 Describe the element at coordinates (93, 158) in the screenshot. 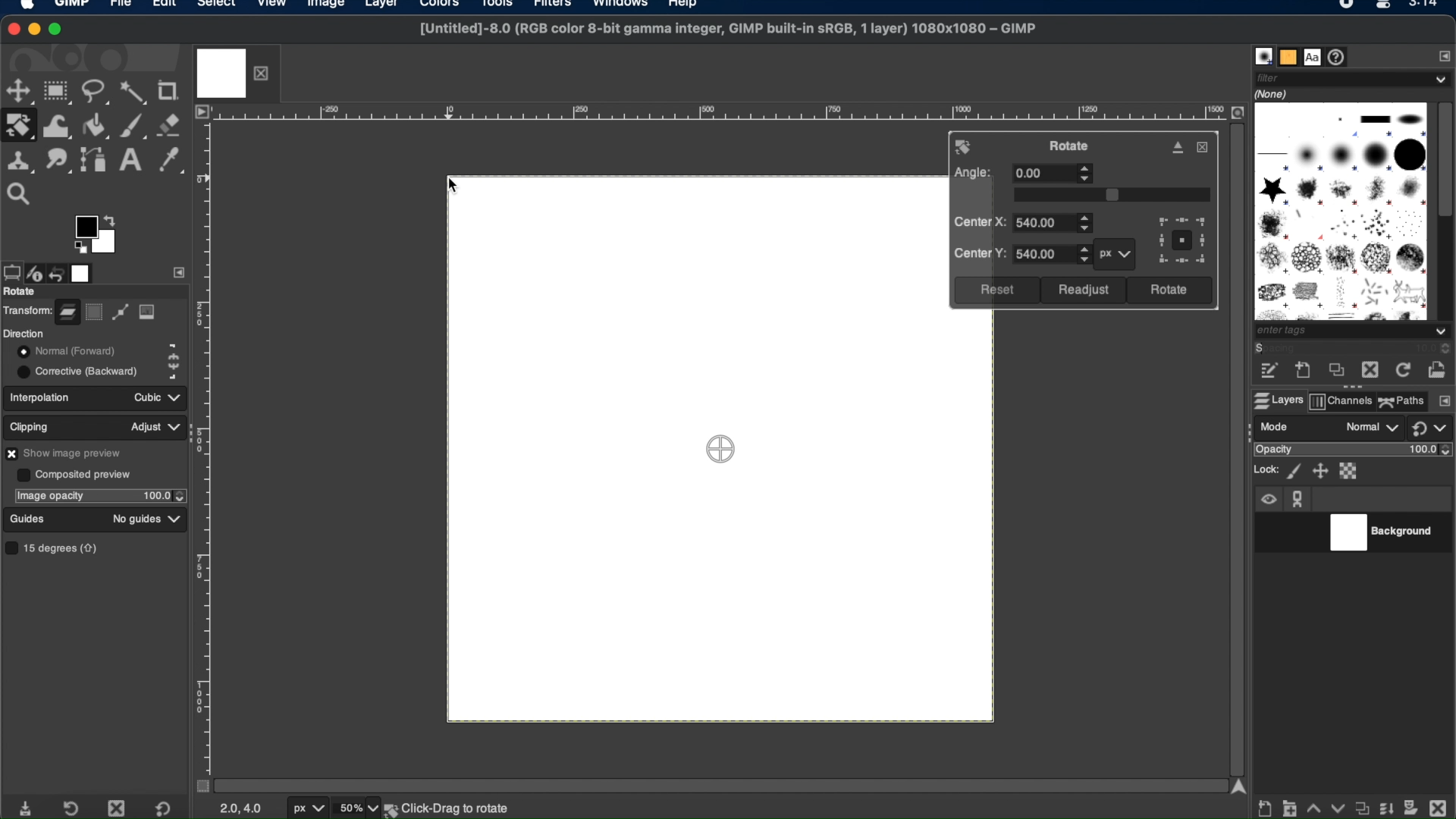

I see `paths tool` at that location.